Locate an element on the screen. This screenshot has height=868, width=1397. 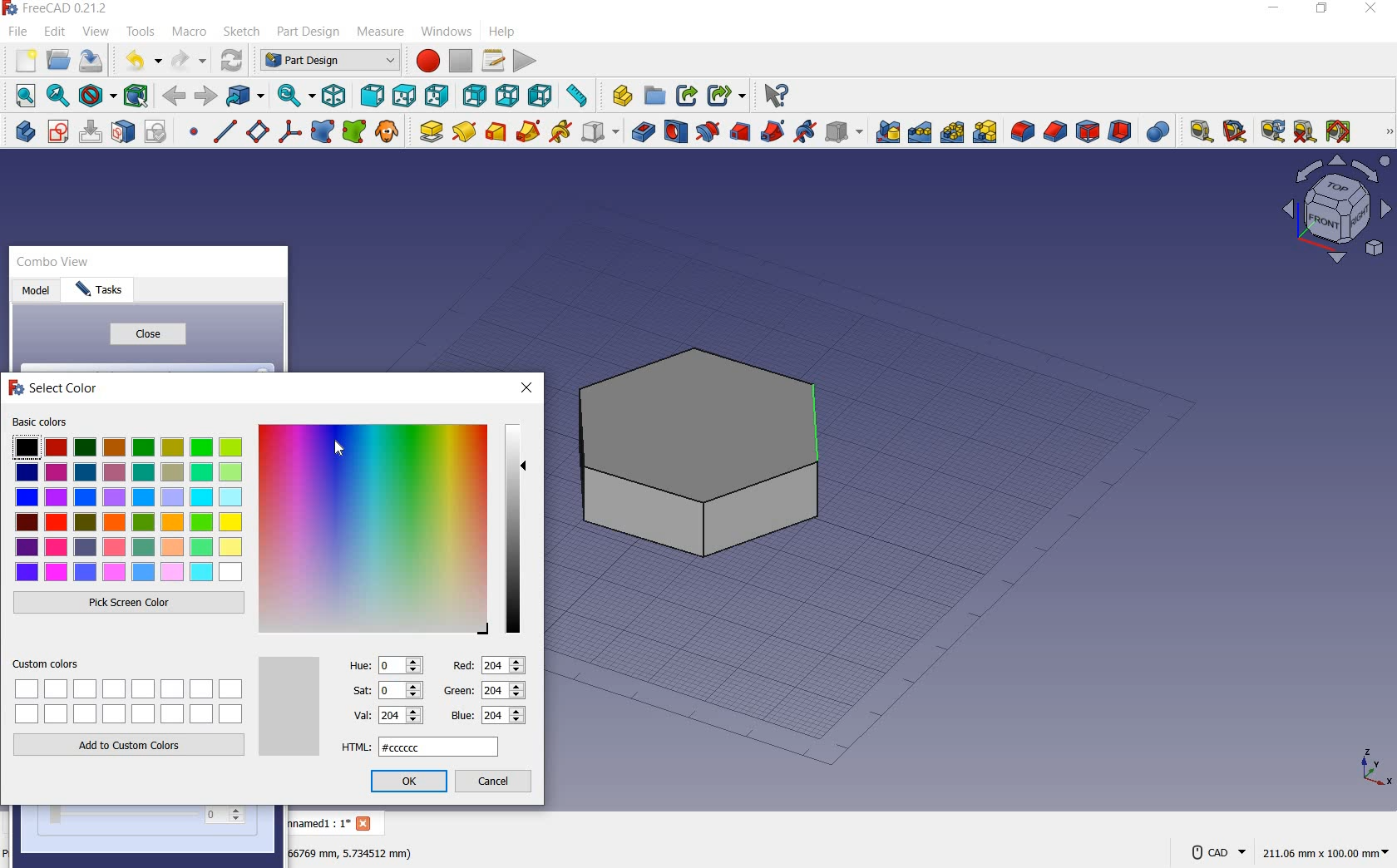
additive pipe is located at coordinates (529, 131).